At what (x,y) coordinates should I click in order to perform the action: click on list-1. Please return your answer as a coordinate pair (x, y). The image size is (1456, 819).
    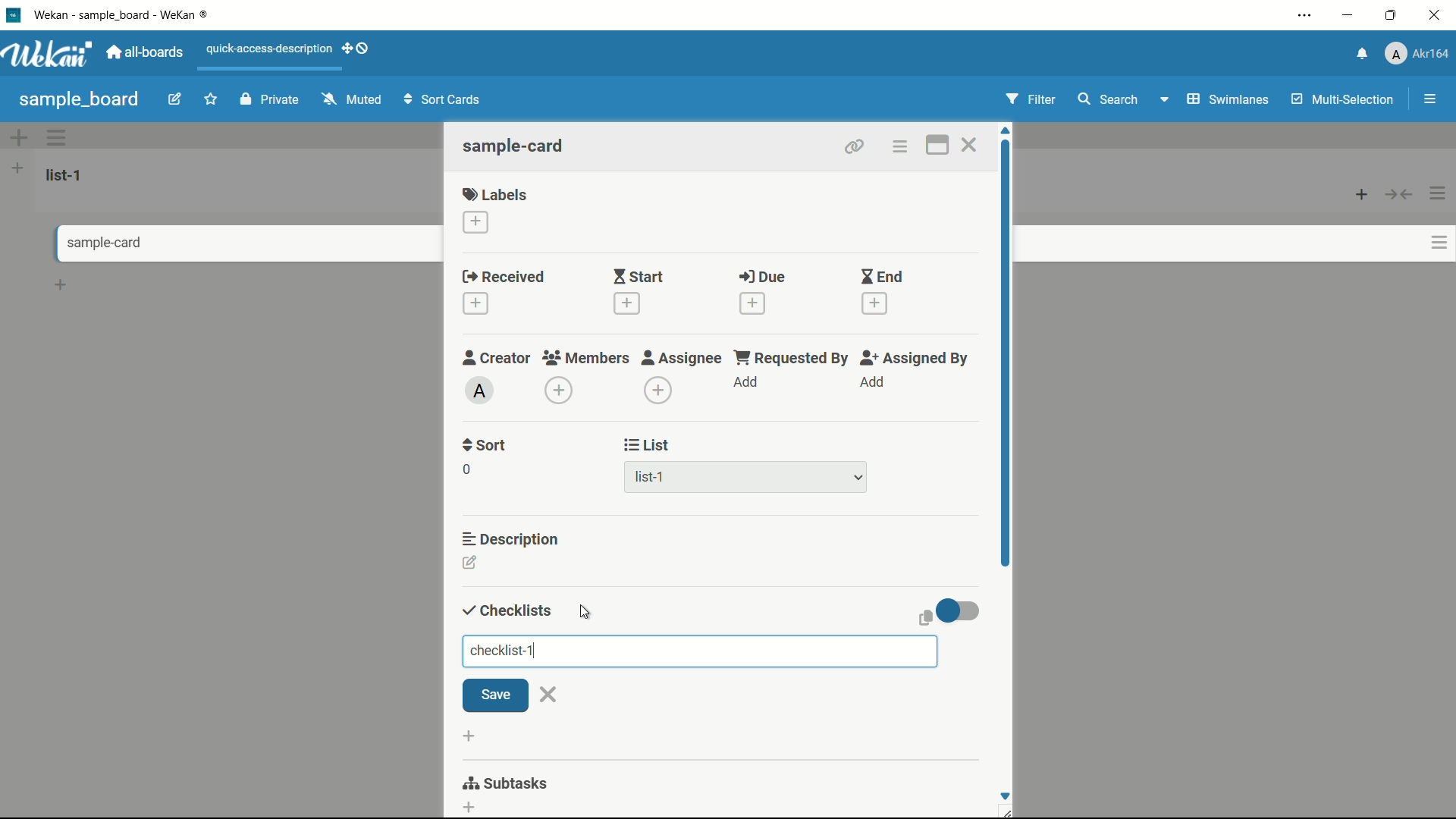
    Looking at the image, I should click on (652, 480).